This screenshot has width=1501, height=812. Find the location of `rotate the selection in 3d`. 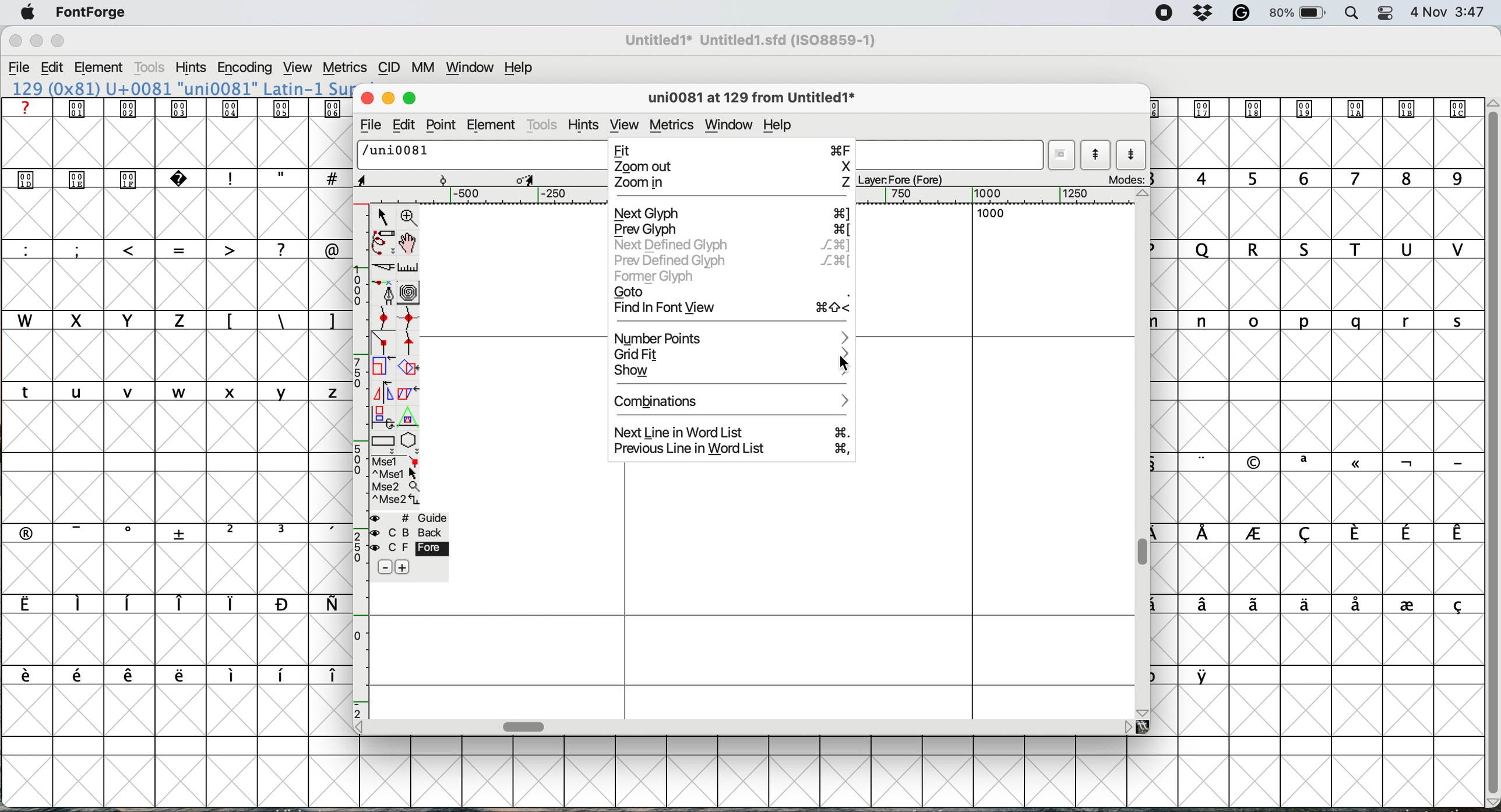

rotate the selection in 3d is located at coordinates (383, 416).